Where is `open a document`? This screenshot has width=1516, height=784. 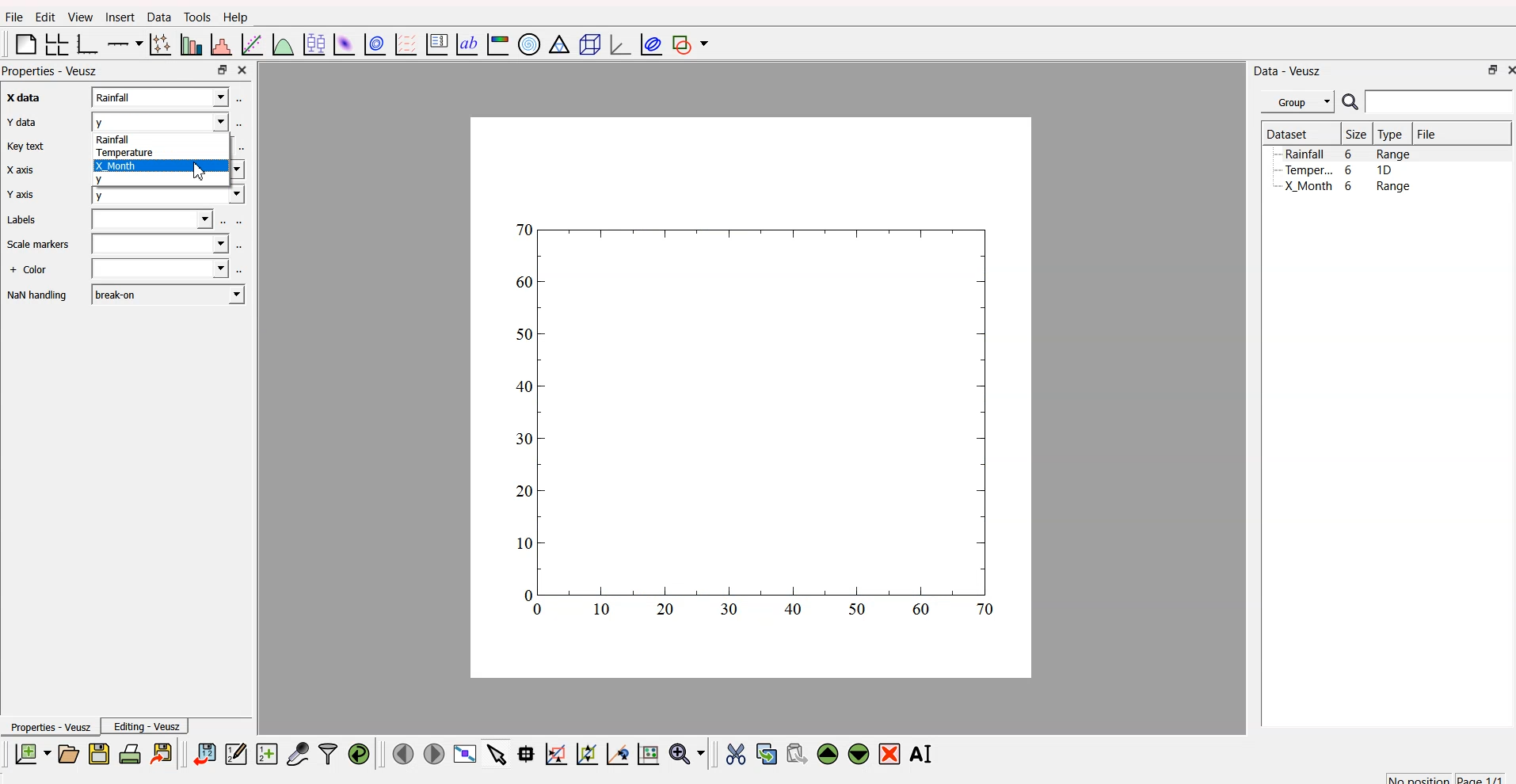 open a document is located at coordinates (67, 752).